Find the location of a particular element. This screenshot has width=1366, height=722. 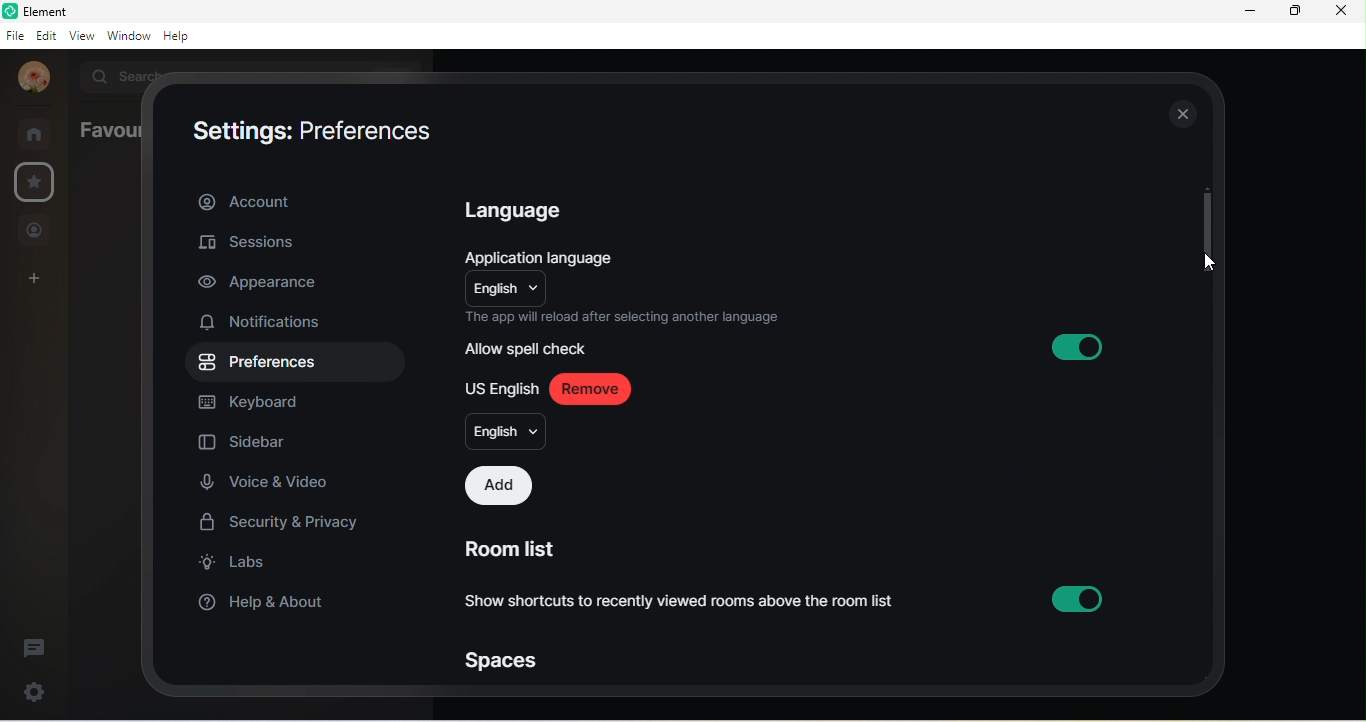

people is located at coordinates (37, 230).